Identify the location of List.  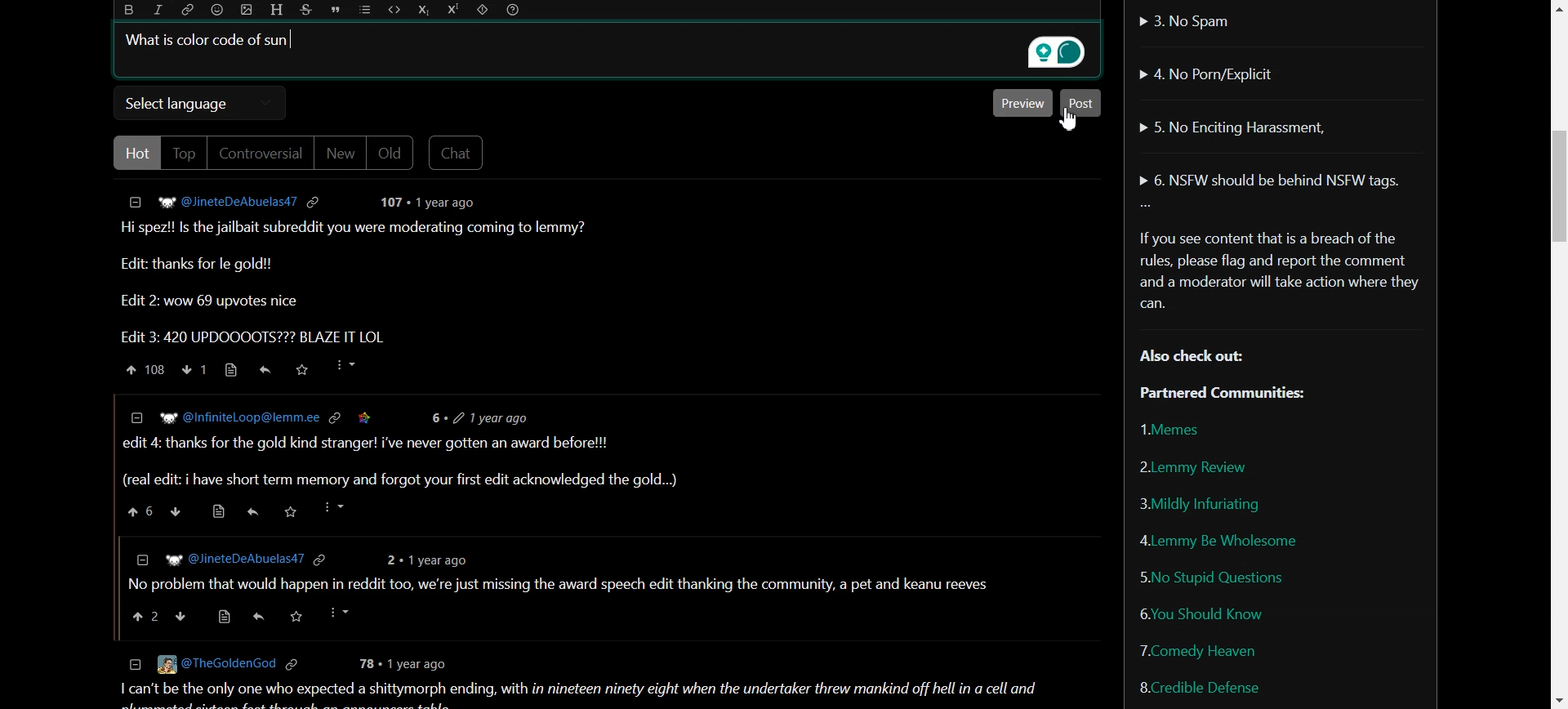
(364, 10).